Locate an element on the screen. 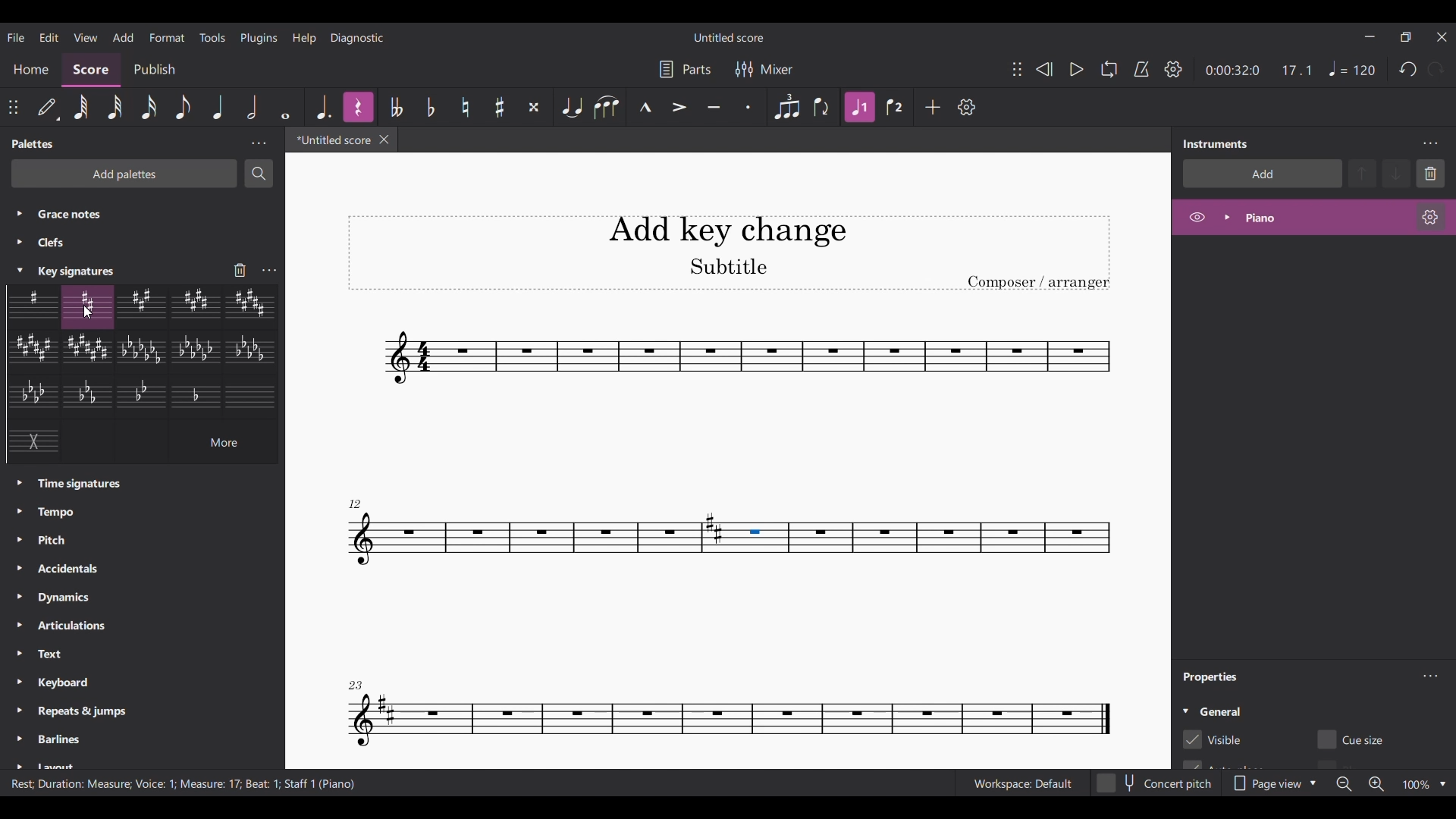  Selected section highlighted is located at coordinates (724, 536).